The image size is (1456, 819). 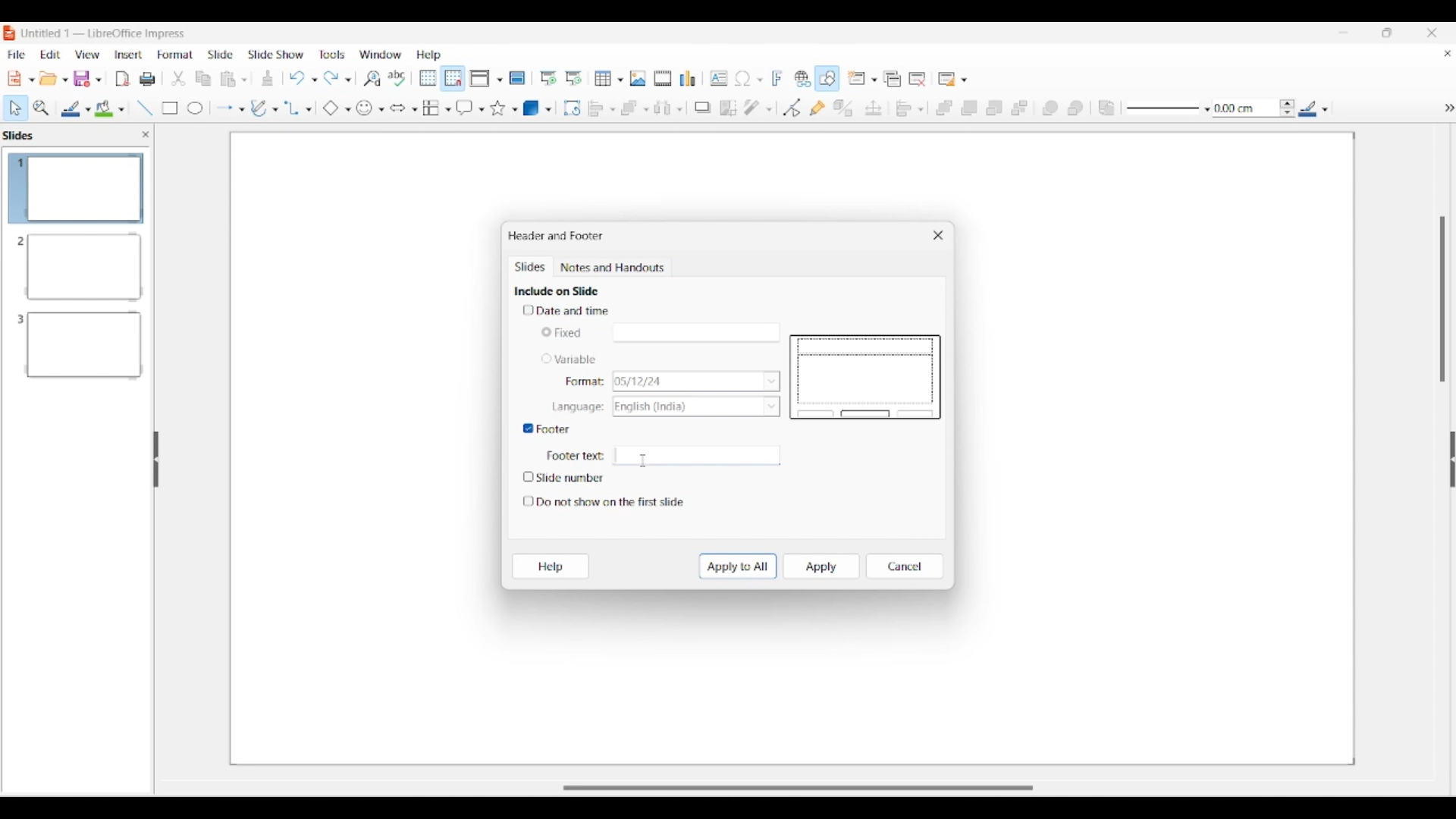 What do you see at coordinates (569, 477) in the screenshot?
I see `Toggle for slide number` at bounding box center [569, 477].